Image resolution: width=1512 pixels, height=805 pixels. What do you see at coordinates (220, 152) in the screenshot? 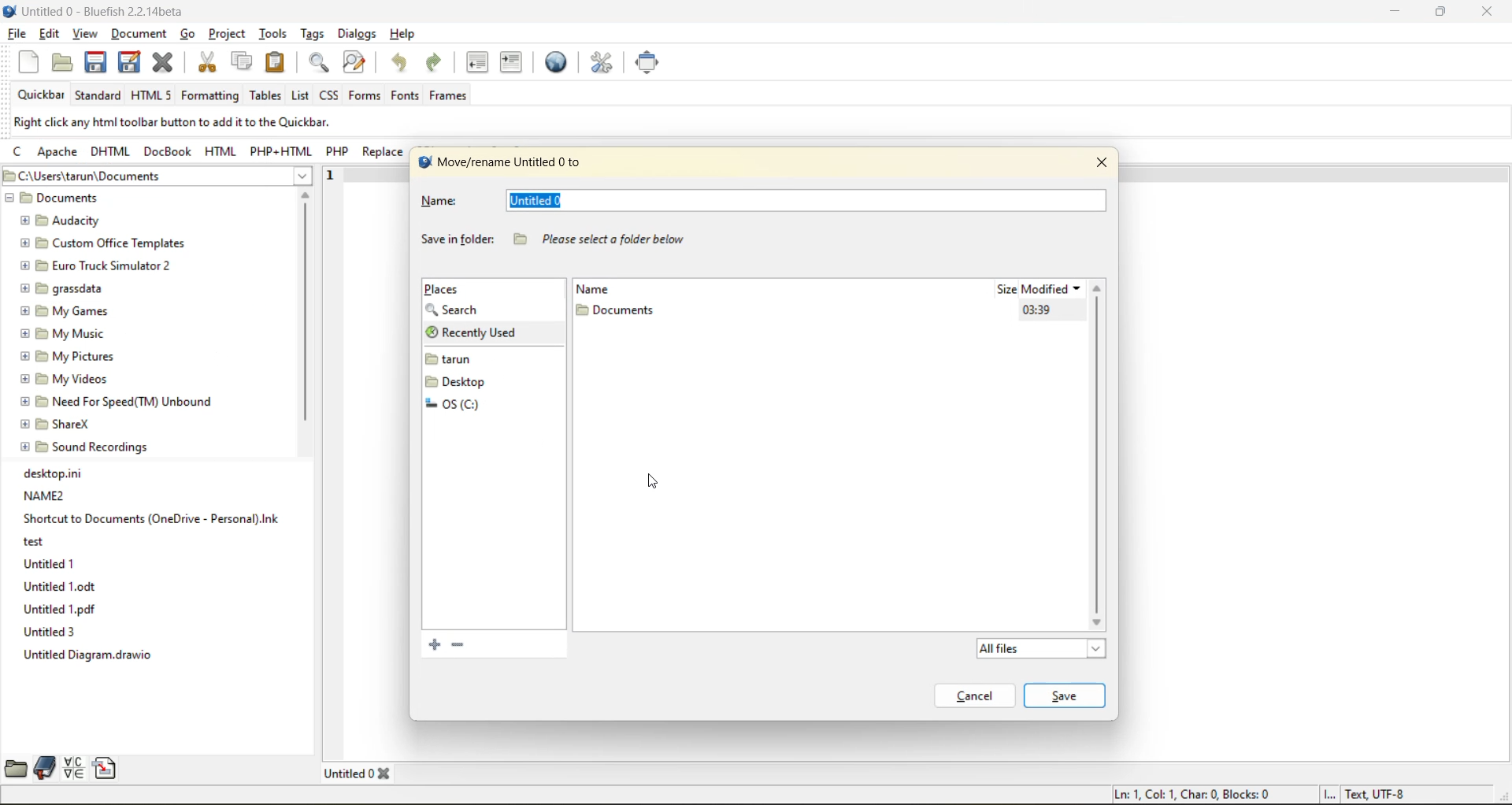
I see `html` at bounding box center [220, 152].